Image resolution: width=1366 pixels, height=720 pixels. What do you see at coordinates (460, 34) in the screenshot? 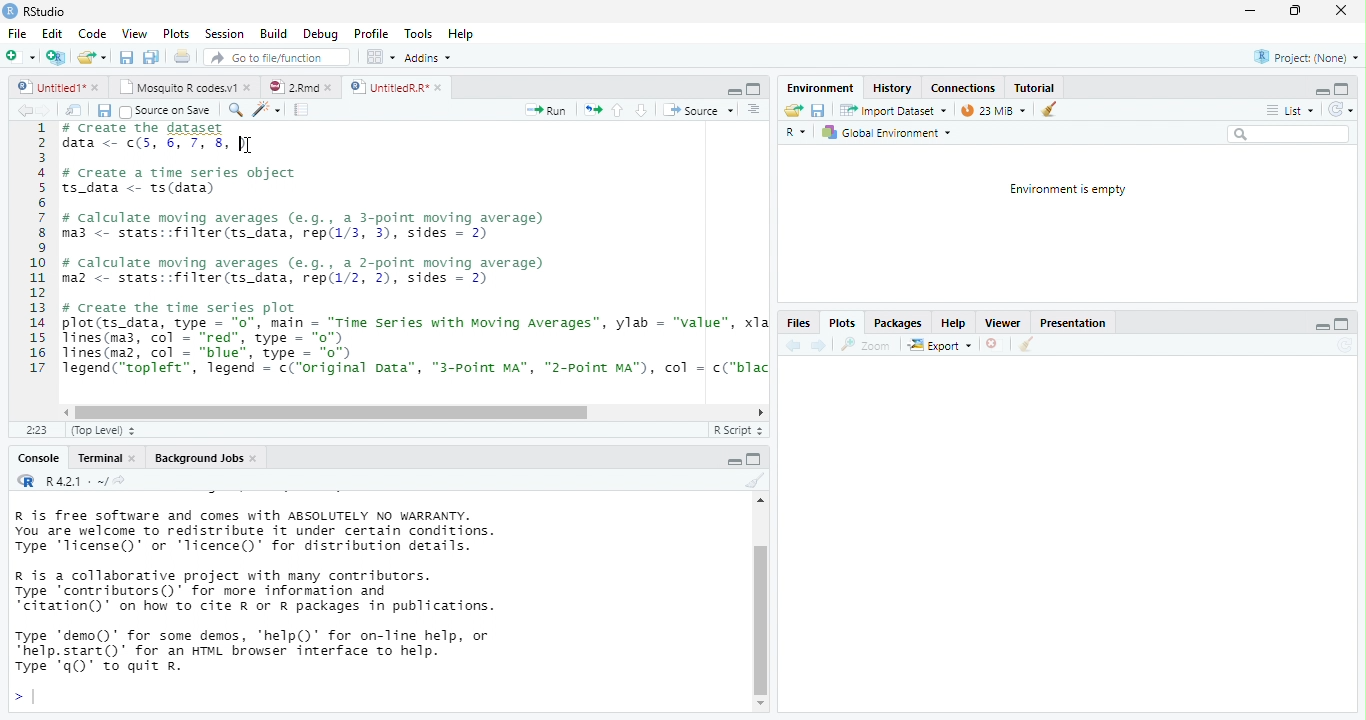
I see `Hep` at bounding box center [460, 34].